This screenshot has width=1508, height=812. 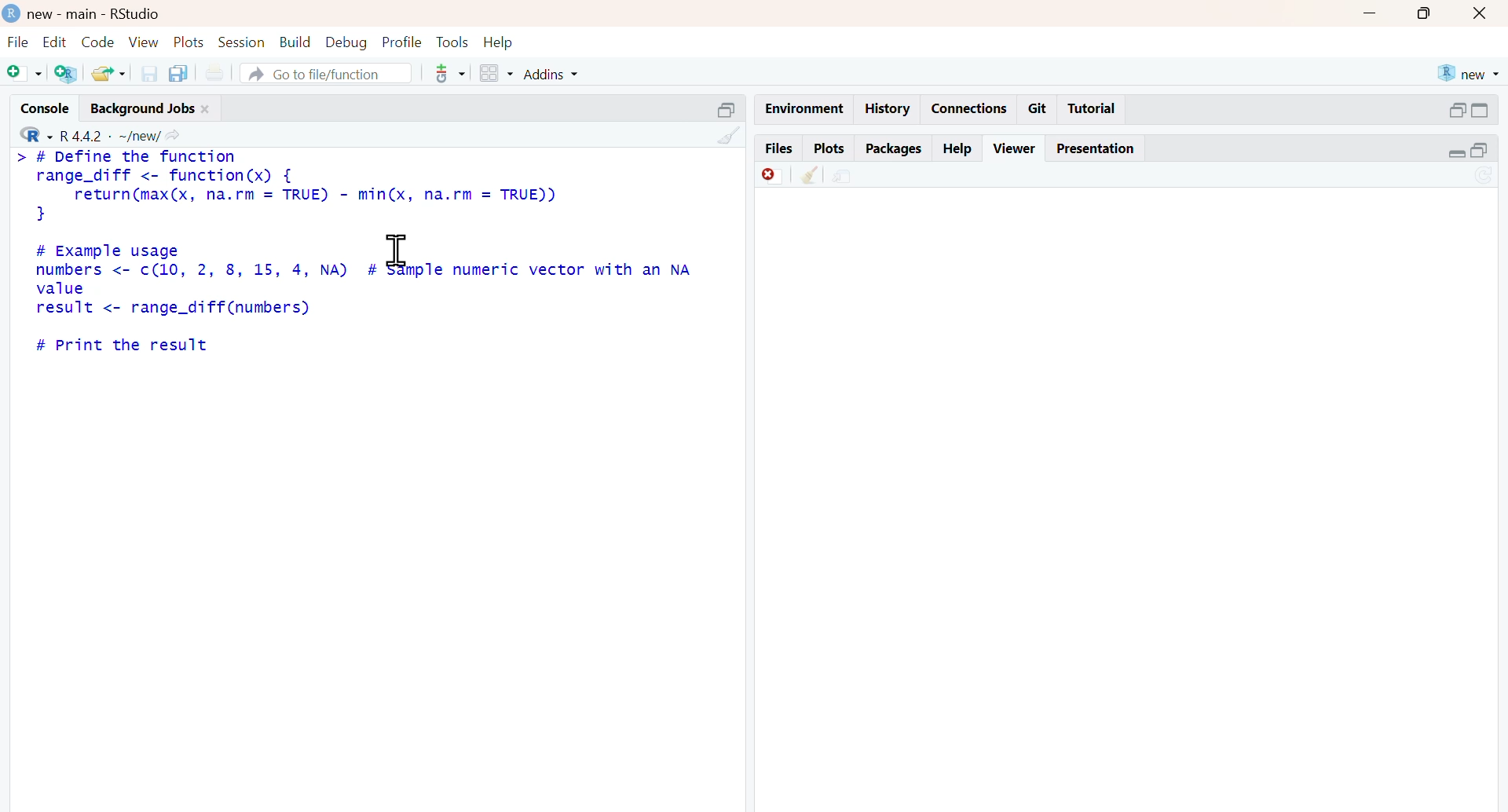 What do you see at coordinates (497, 74) in the screenshot?
I see `grid` at bounding box center [497, 74].